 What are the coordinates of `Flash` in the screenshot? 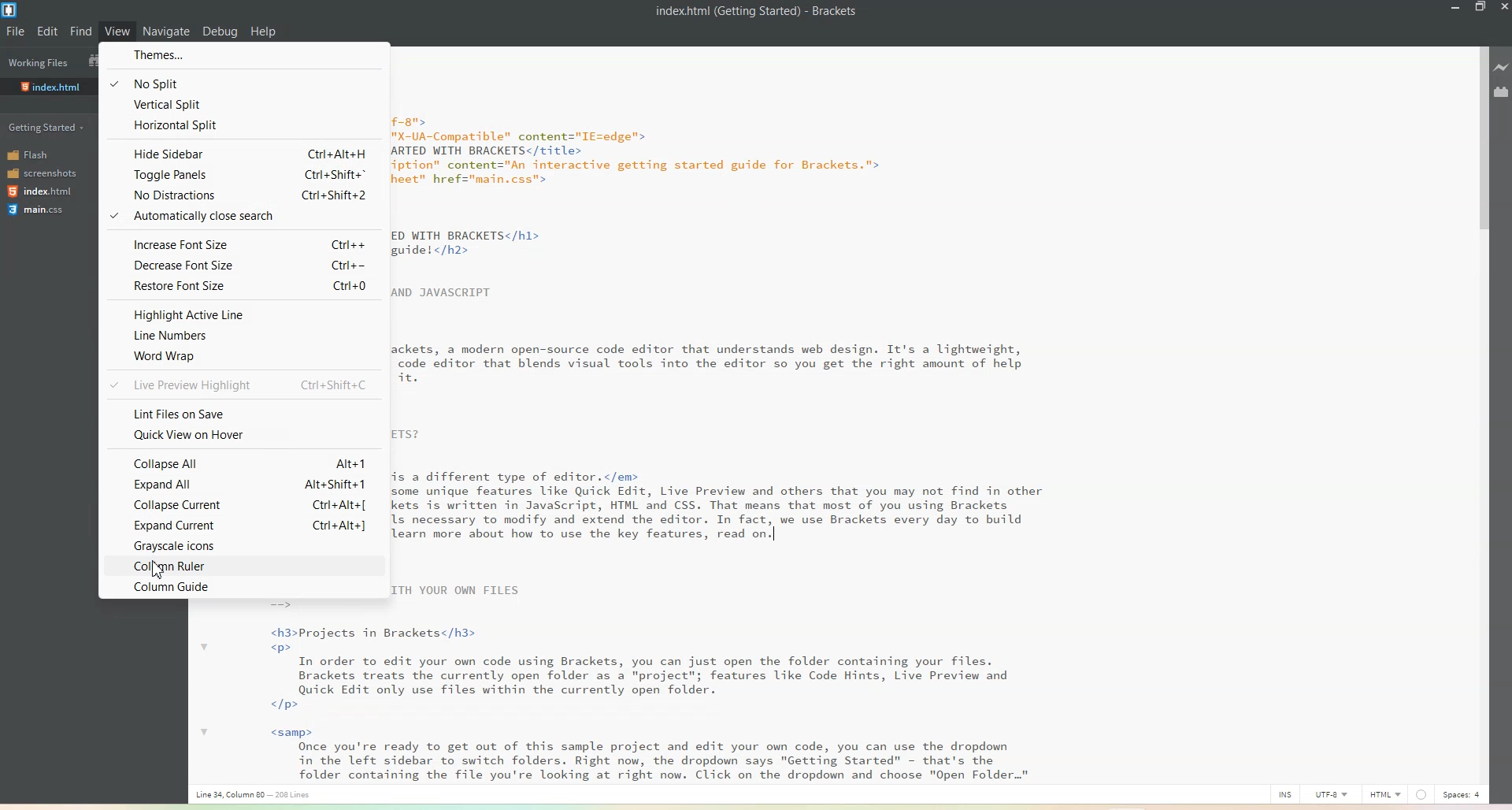 It's located at (31, 156).